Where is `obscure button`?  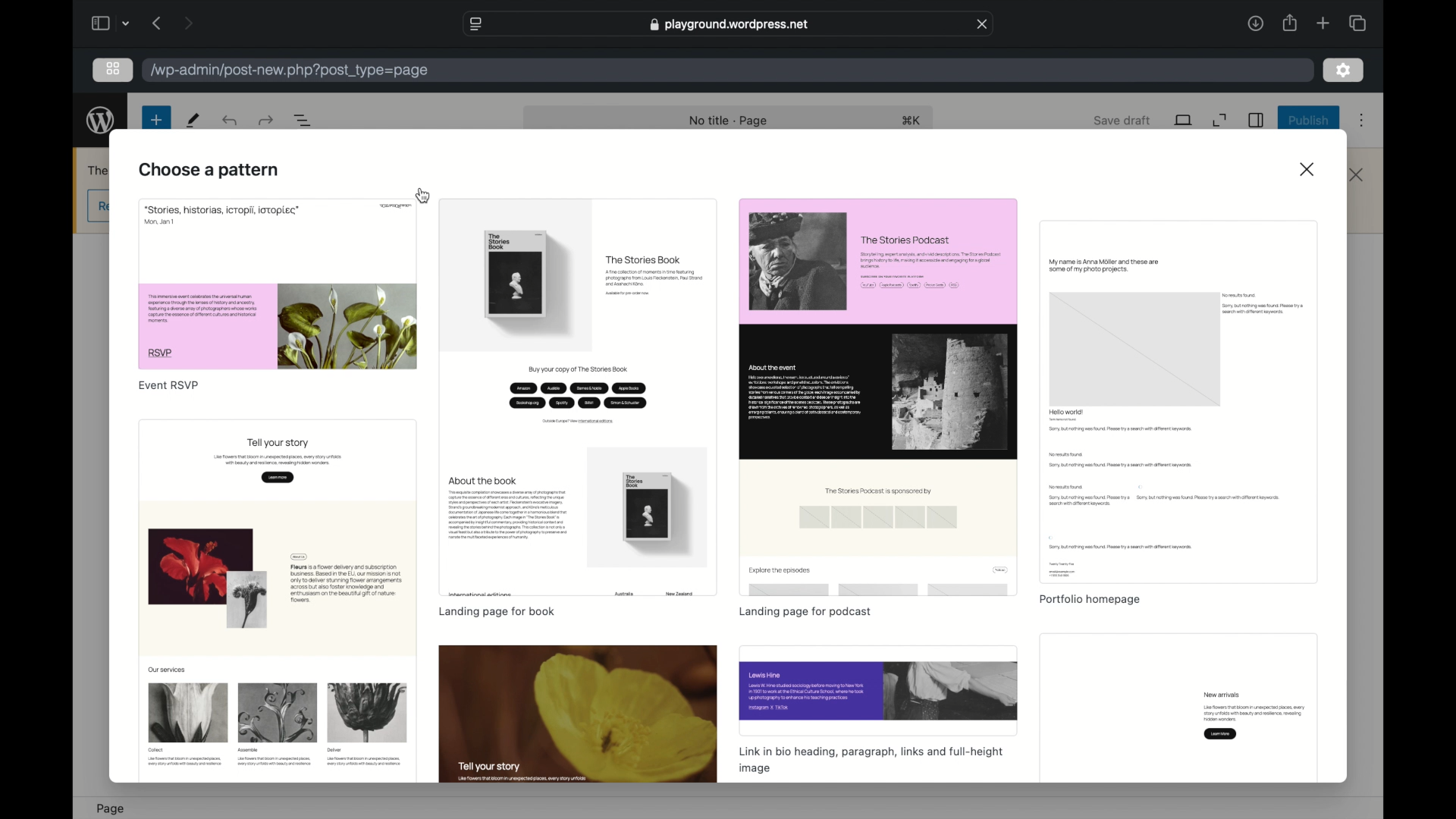 obscure button is located at coordinates (99, 207).